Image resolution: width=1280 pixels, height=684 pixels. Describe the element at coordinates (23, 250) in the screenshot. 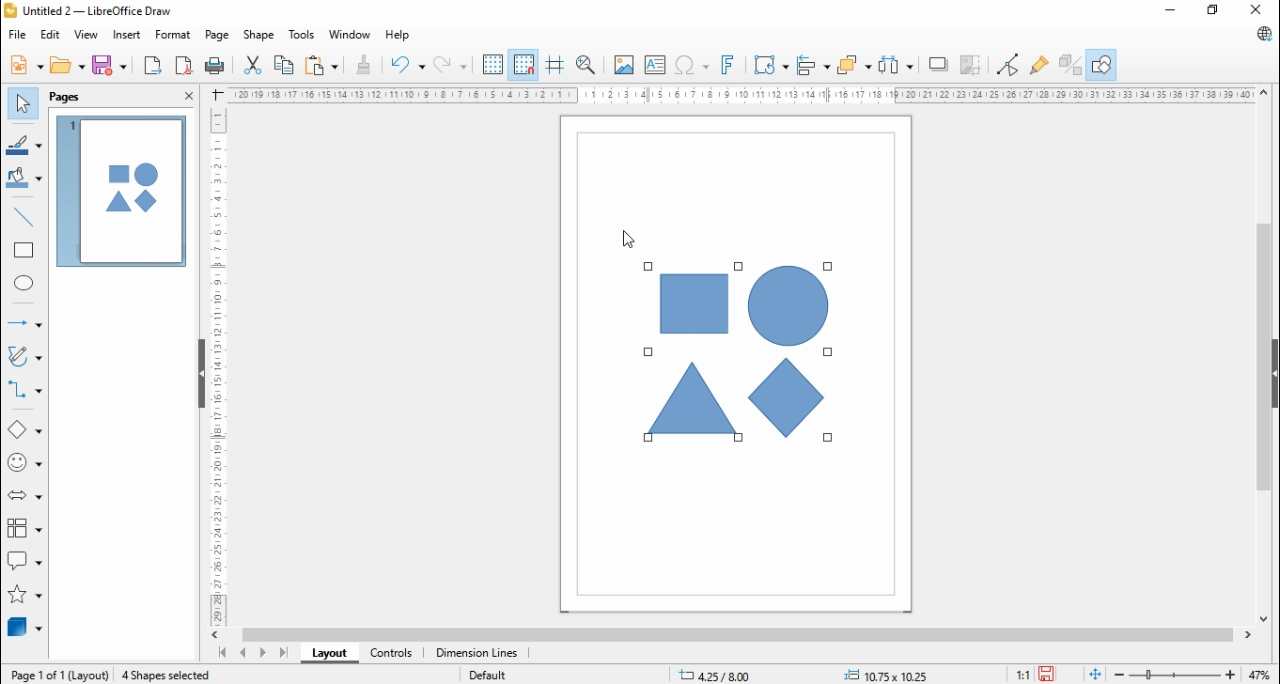

I see `rectangle` at that location.